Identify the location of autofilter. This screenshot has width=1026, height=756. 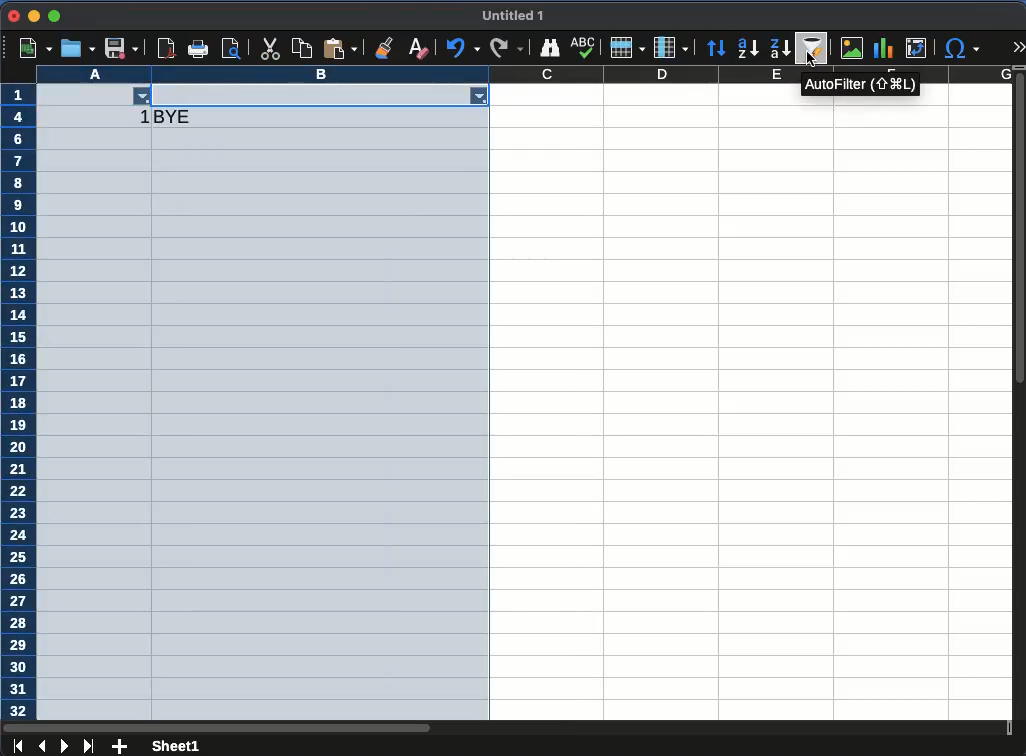
(815, 50).